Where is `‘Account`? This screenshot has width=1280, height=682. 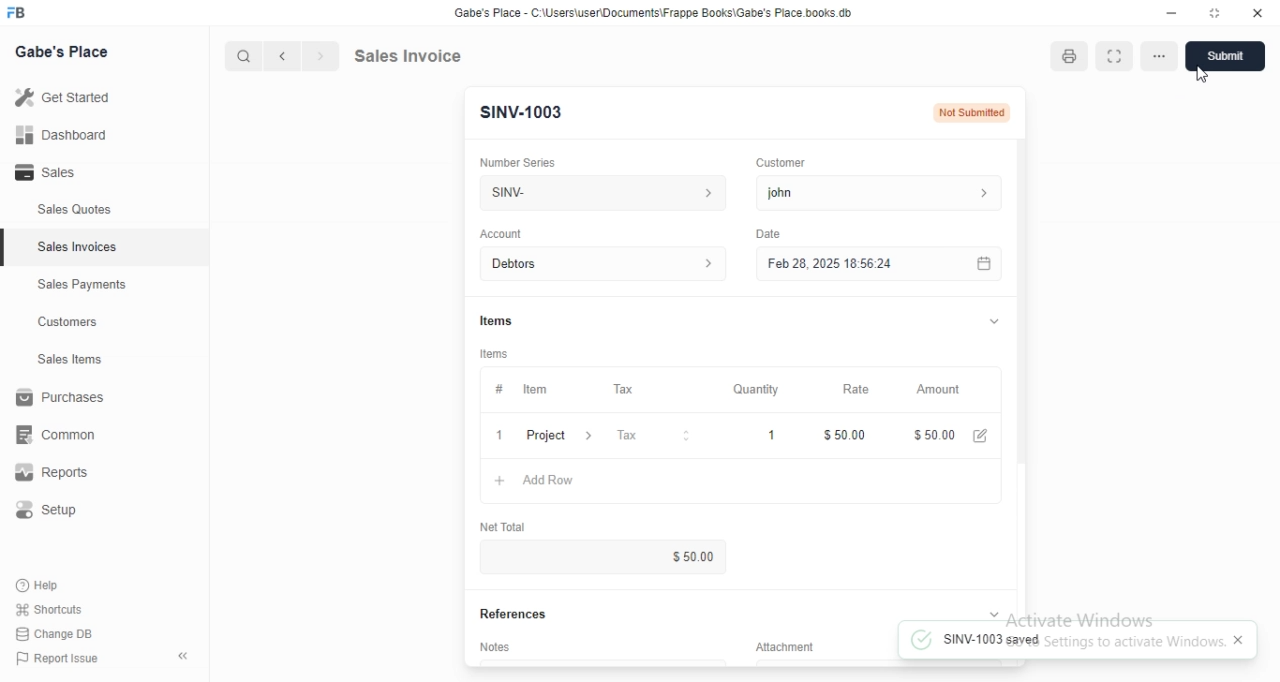
‘Account is located at coordinates (501, 233).